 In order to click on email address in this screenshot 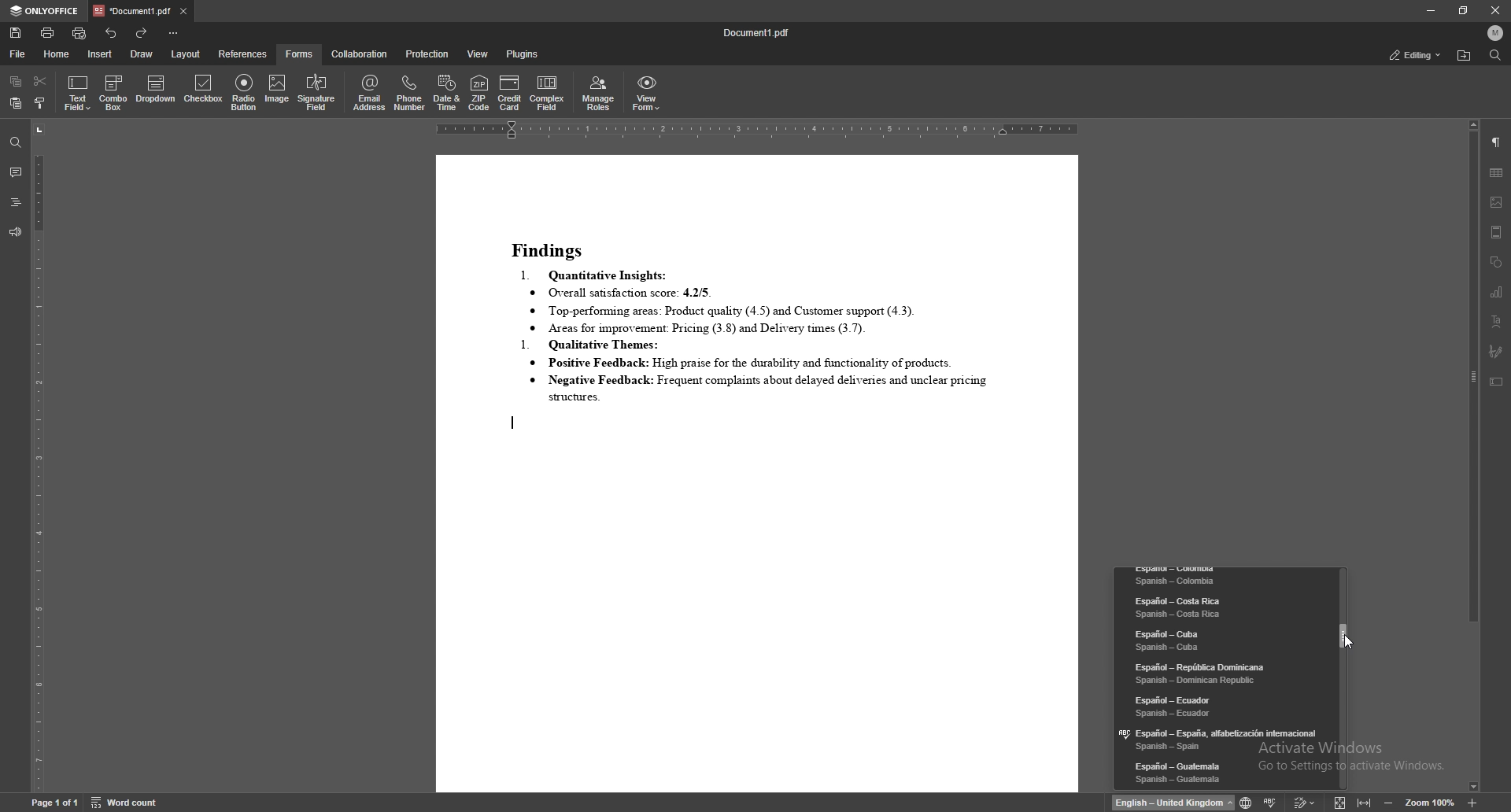, I will do `click(370, 93)`.